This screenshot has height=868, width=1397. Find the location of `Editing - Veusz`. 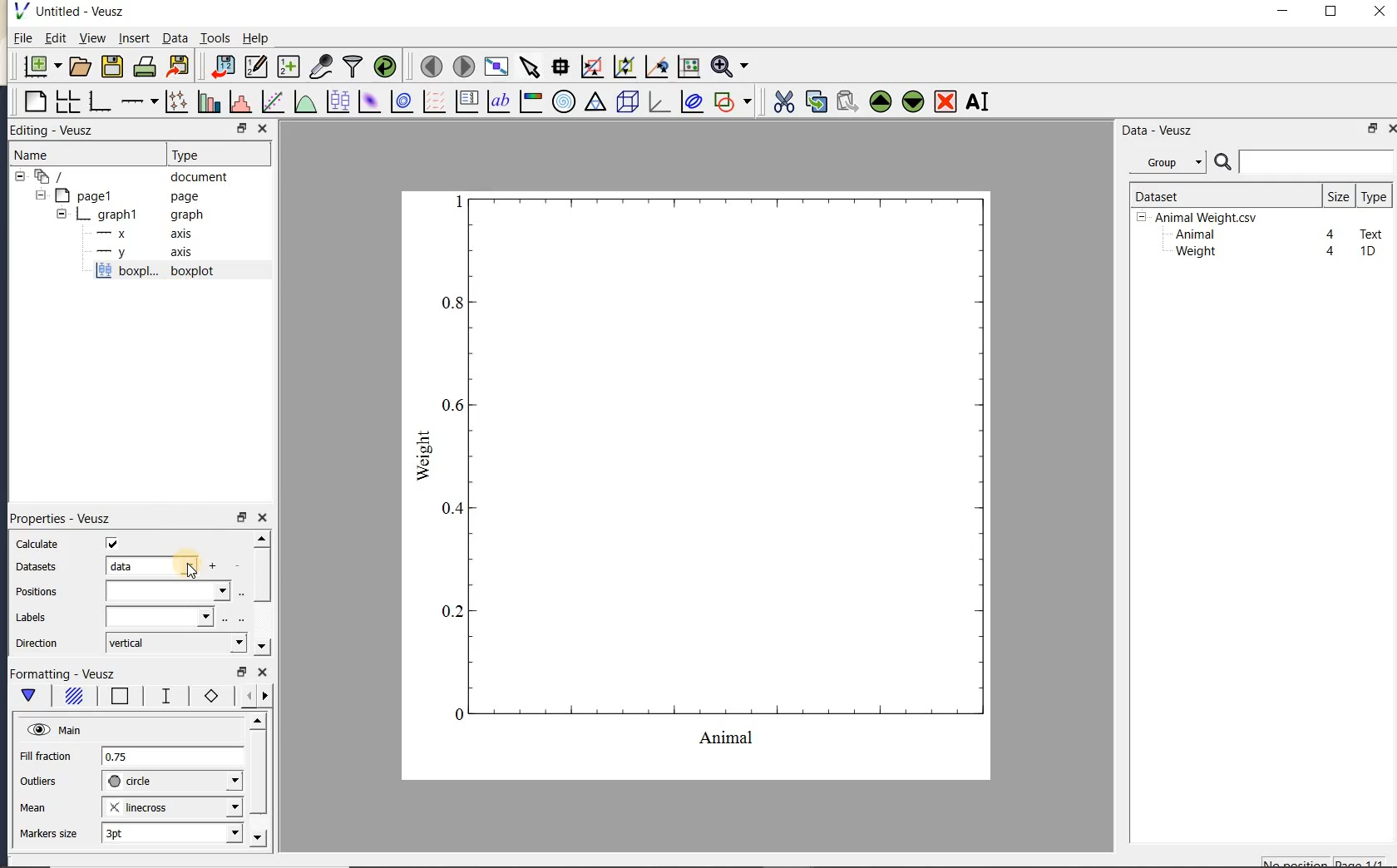

Editing - Veusz is located at coordinates (61, 131).